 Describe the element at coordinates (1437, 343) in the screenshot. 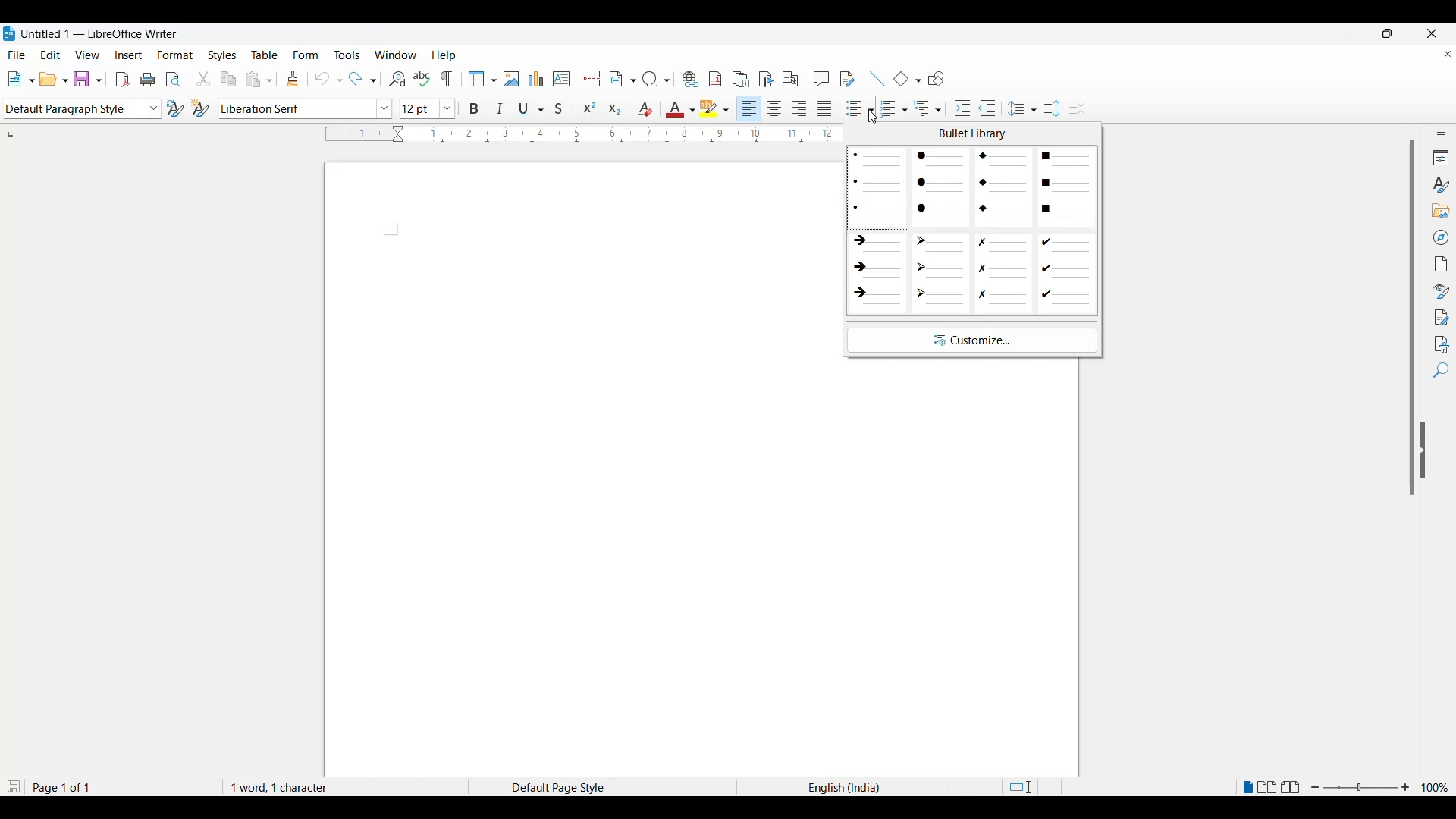

I see `Accessibility check` at that location.